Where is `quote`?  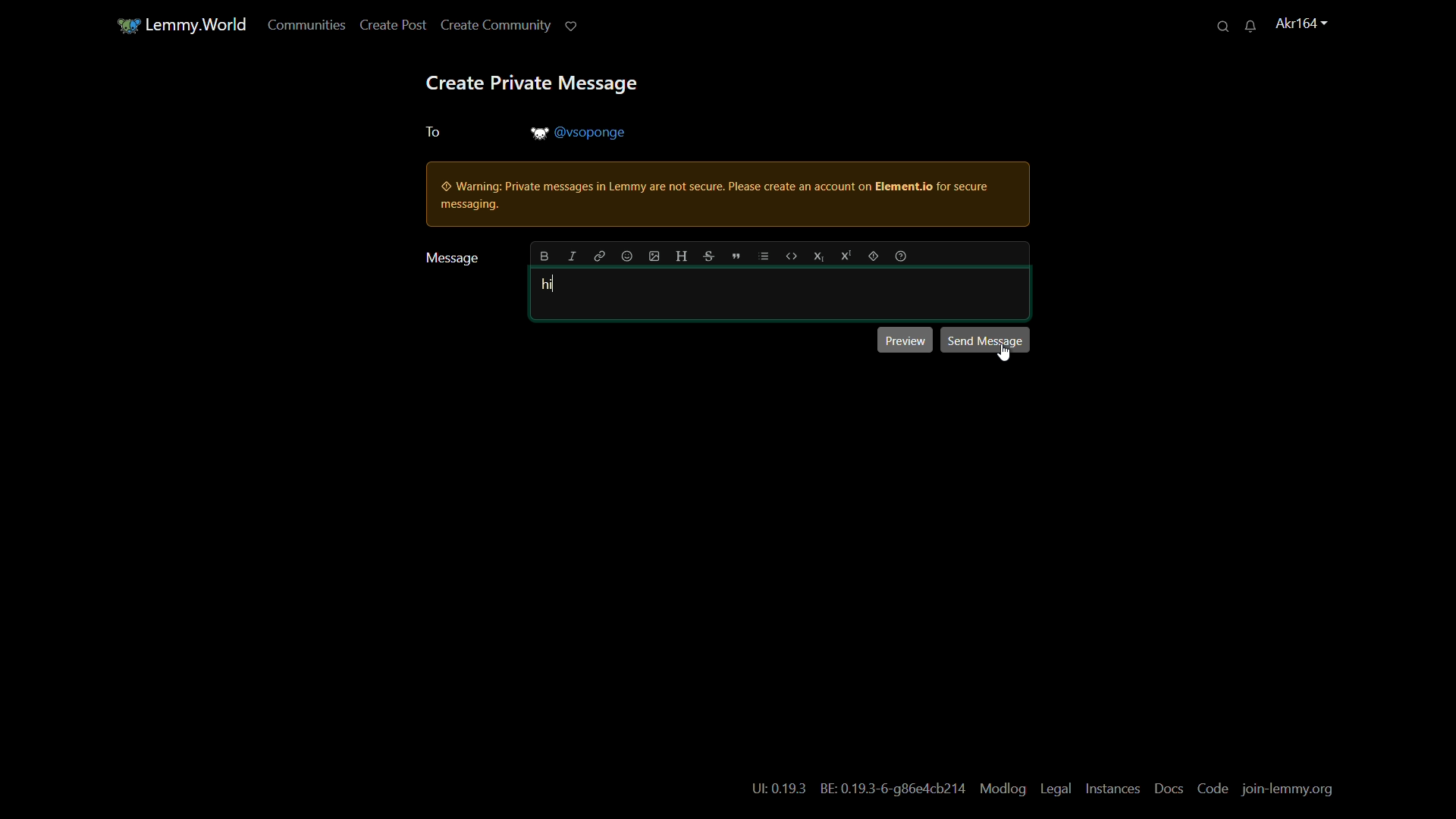 quote is located at coordinates (734, 256).